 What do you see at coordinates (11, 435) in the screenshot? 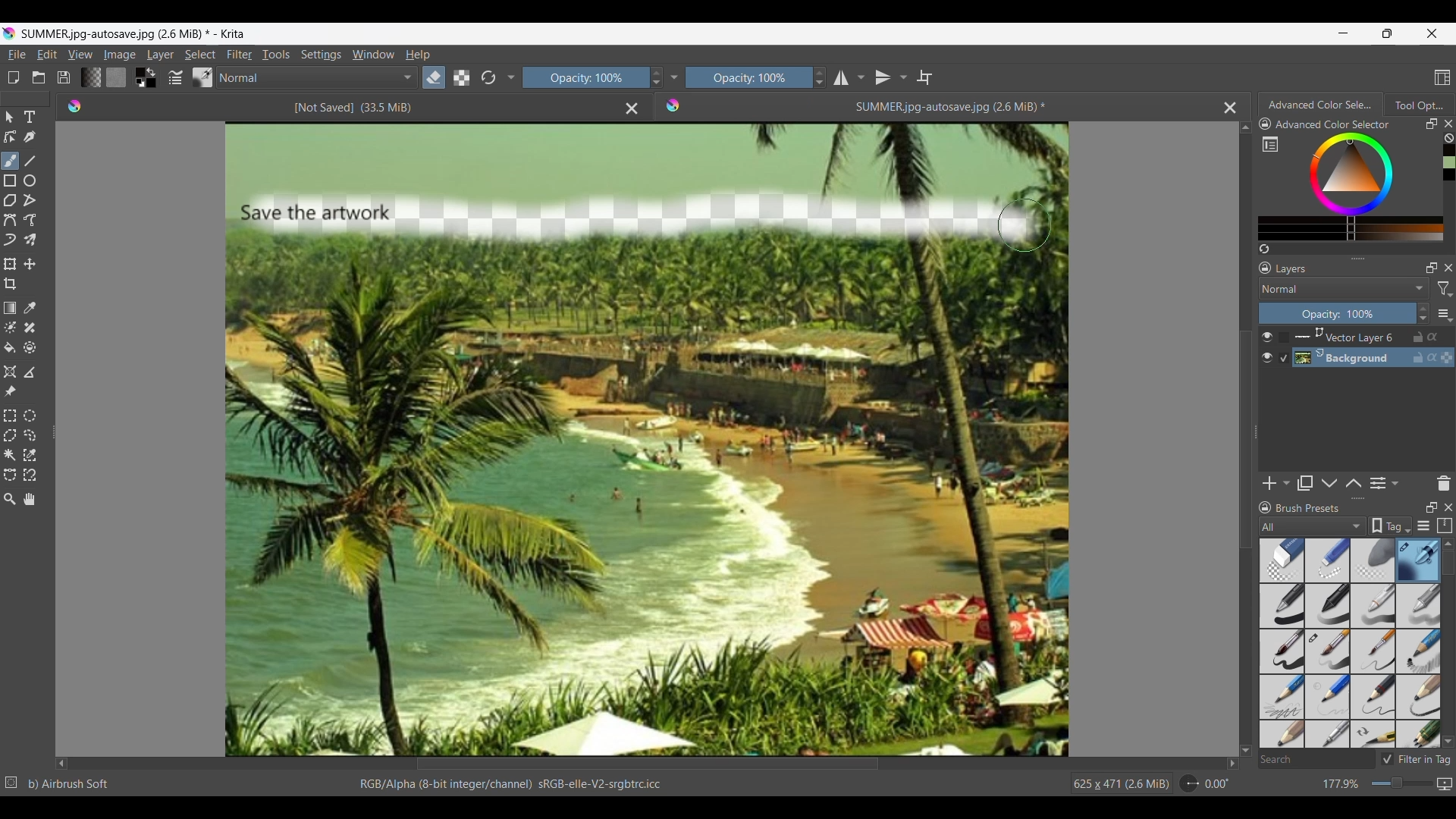
I see `Polygonal selection tool` at bounding box center [11, 435].